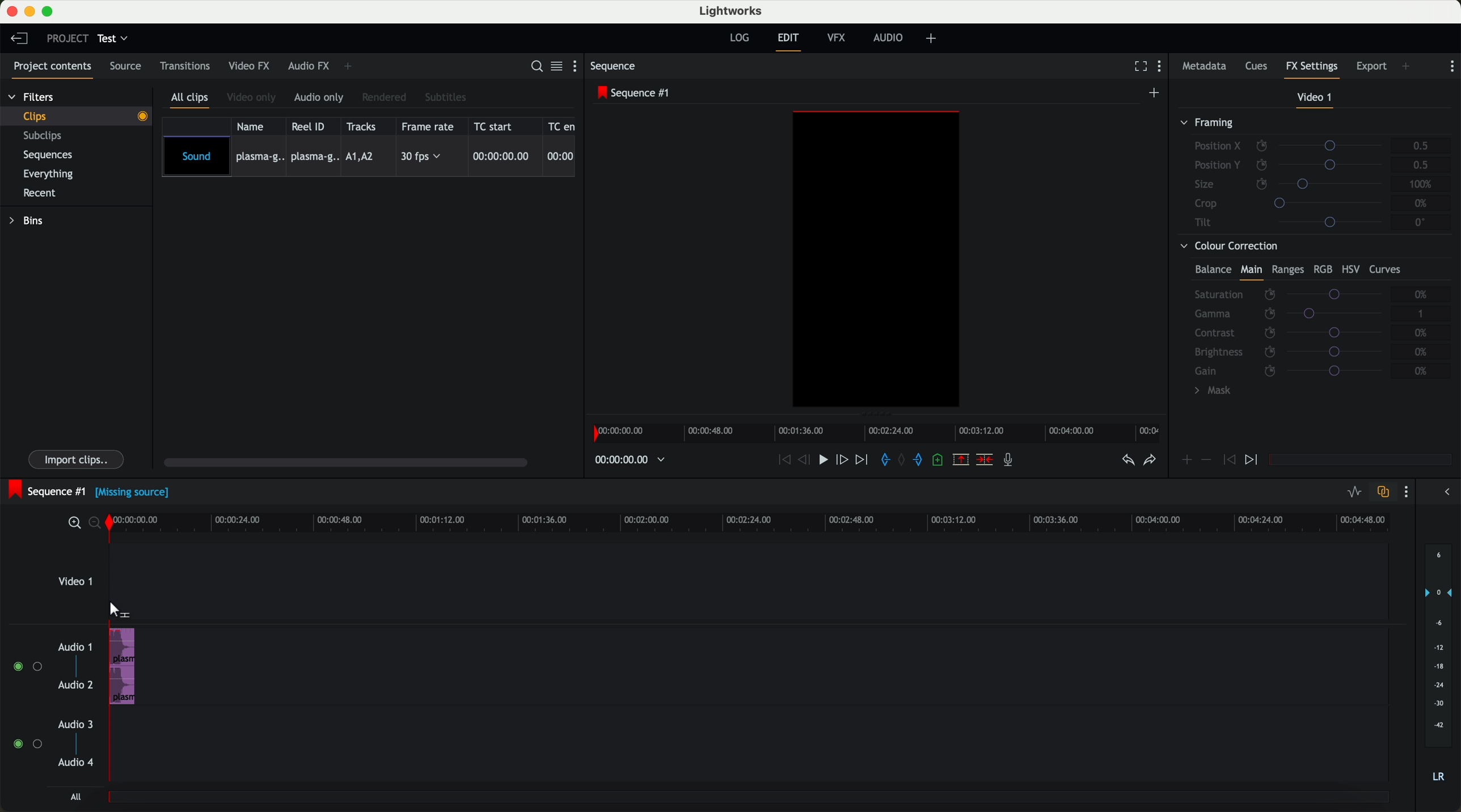 This screenshot has width=1461, height=812. I want to click on transitions, so click(185, 68).